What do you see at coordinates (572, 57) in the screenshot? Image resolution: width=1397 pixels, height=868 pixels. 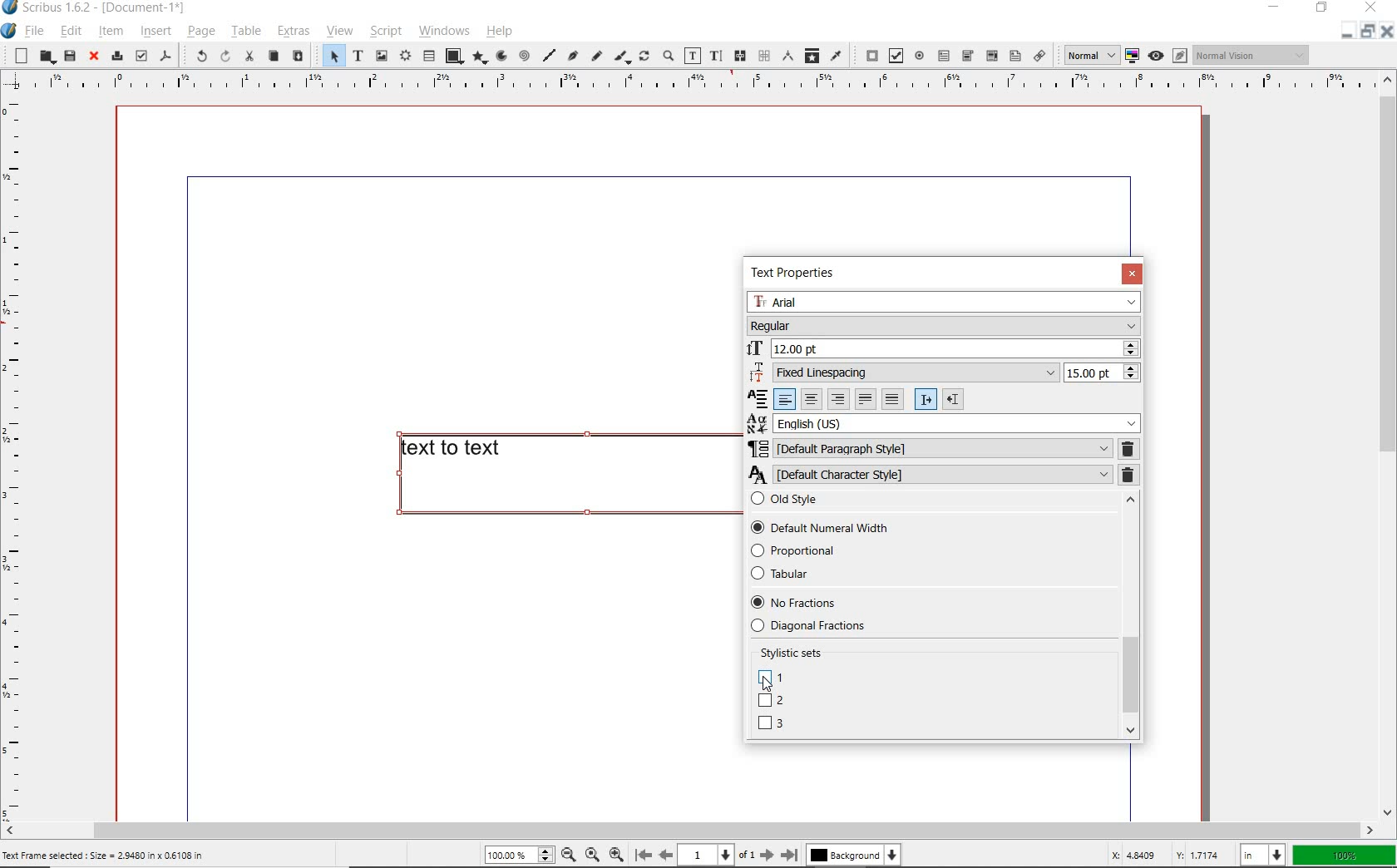 I see `Bezier curve` at bounding box center [572, 57].